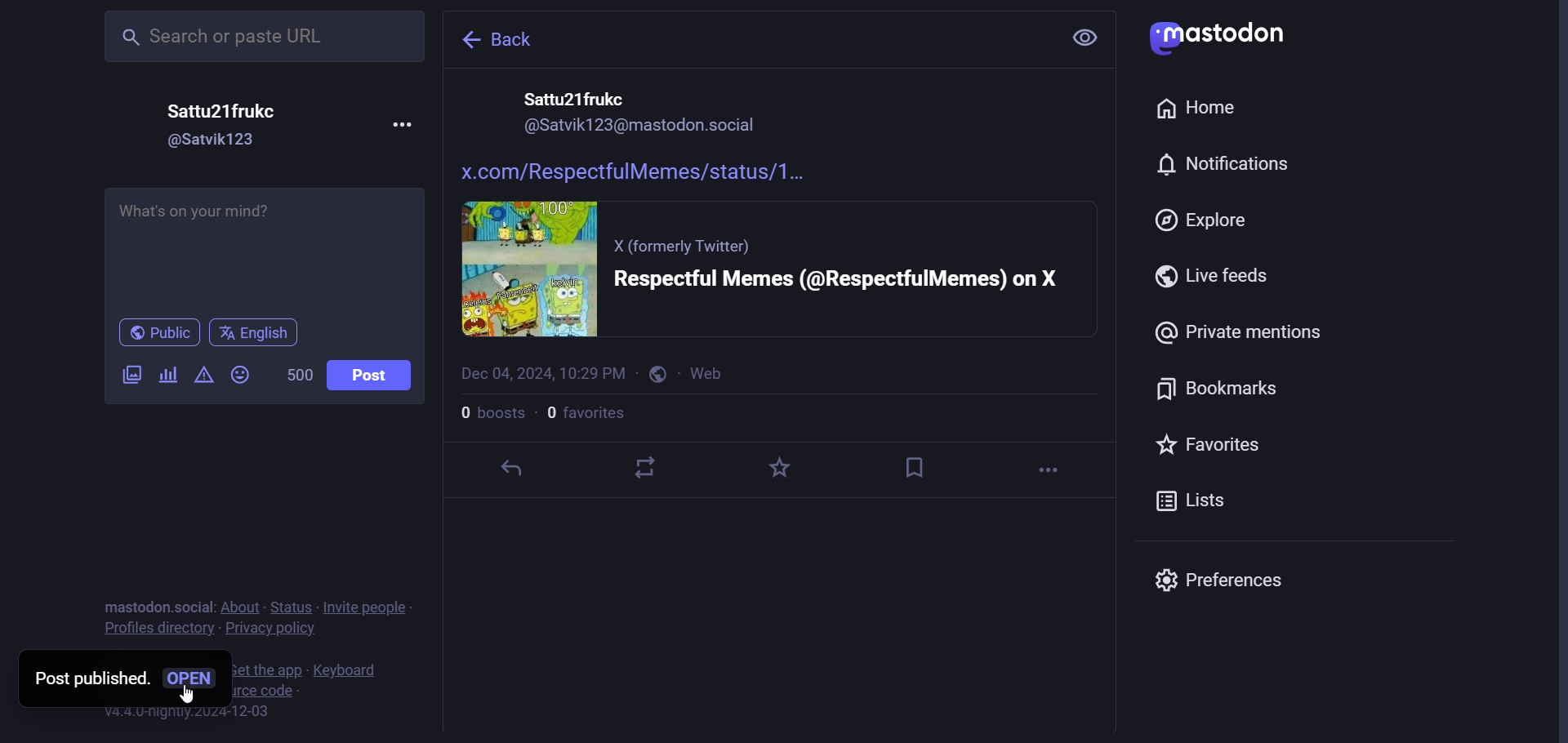 This screenshot has width=1568, height=743. Describe the element at coordinates (1082, 38) in the screenshot. I see `setting` at that location.